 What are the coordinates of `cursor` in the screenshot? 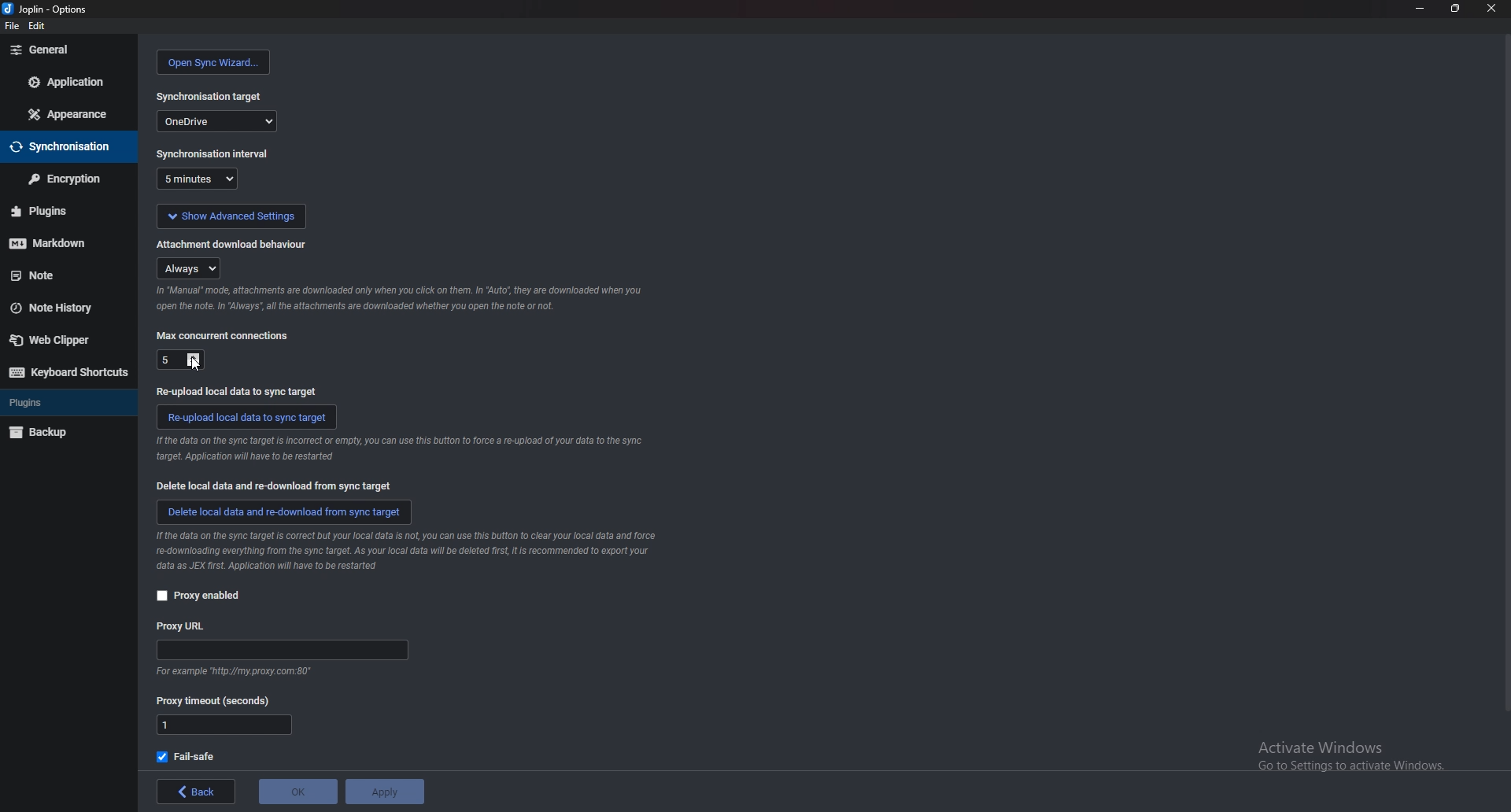 It's located at (195, 364).